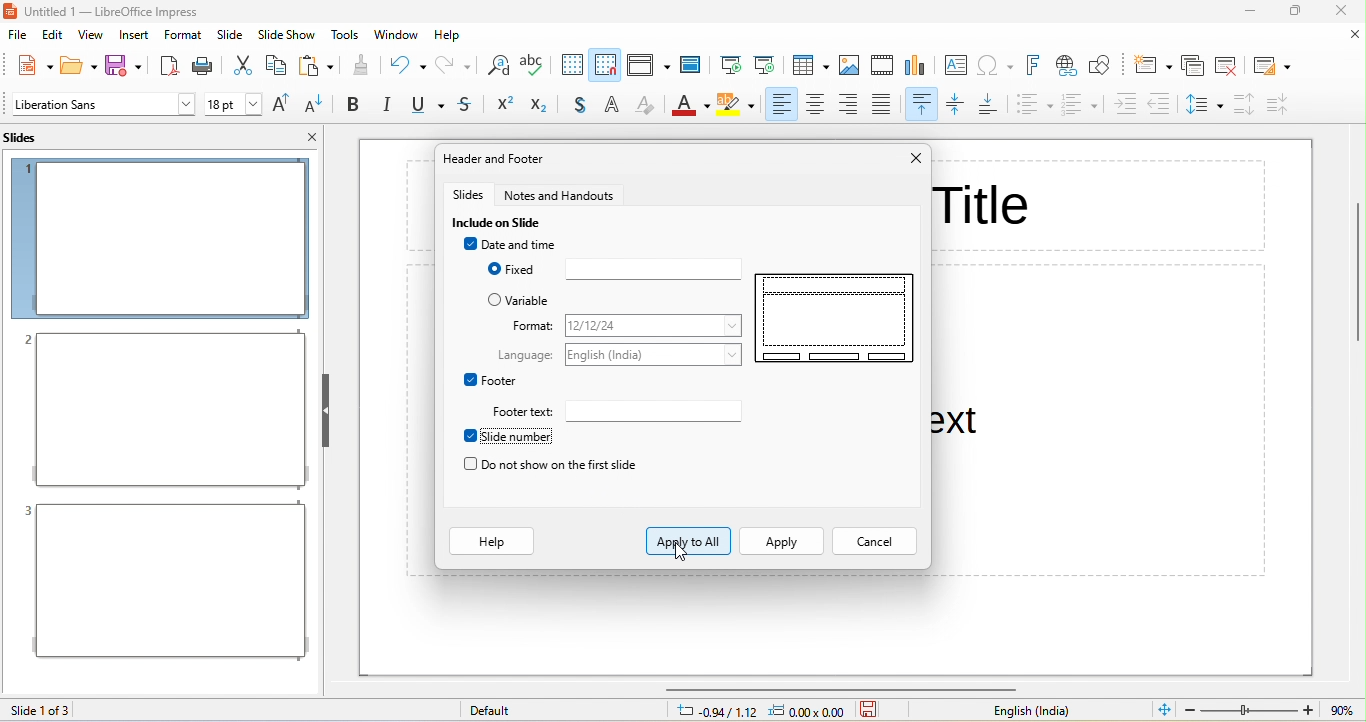  I want to click on slide number, so click(519, 437).